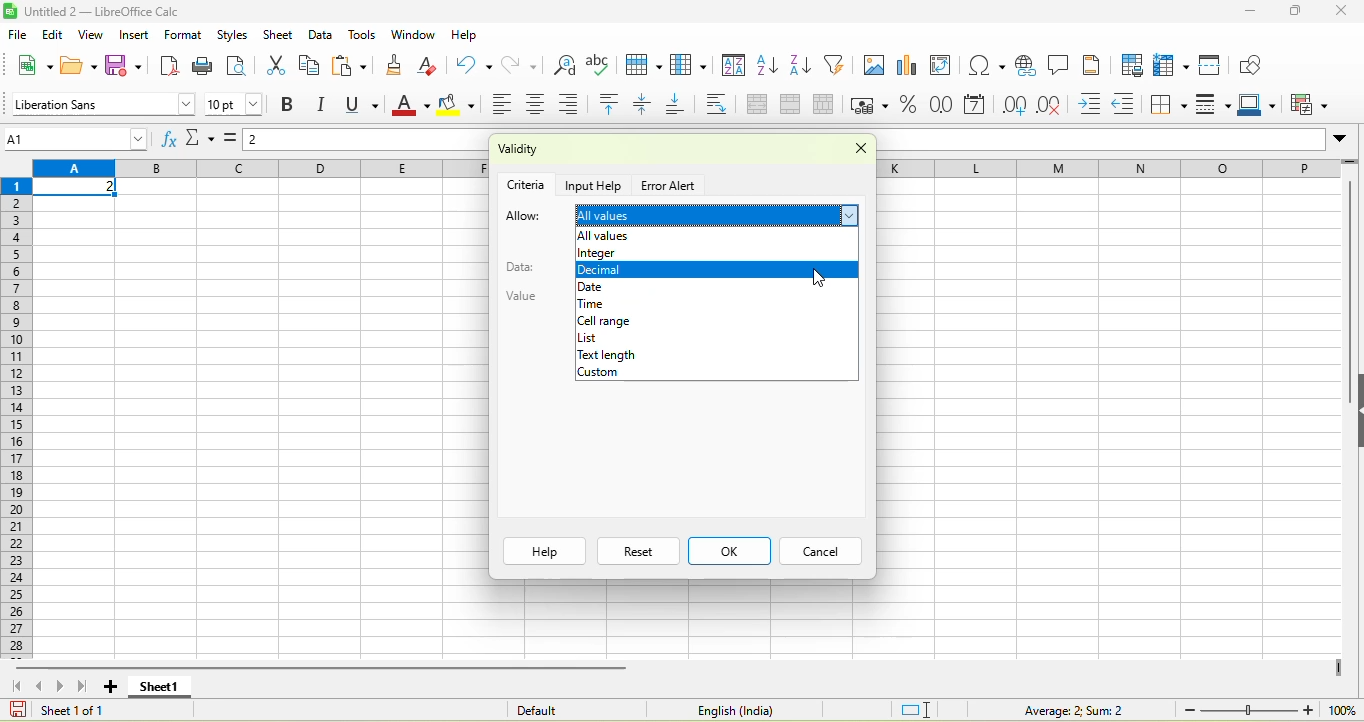  Describe the element at coordinates (854, 151) in the screenshot. I see `lose` at that location.